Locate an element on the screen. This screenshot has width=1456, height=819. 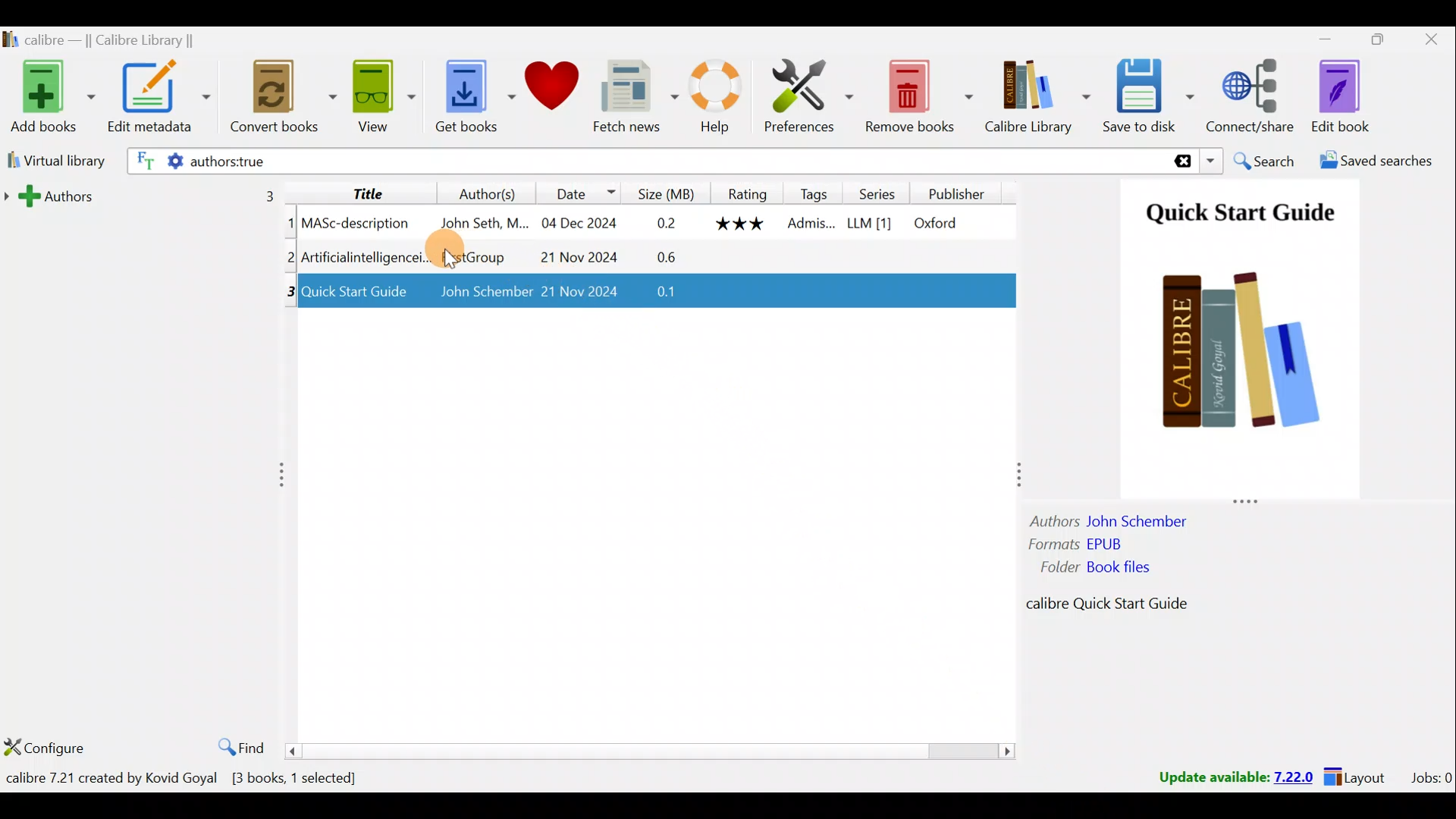
Donate is located at coordinates (545, 93).